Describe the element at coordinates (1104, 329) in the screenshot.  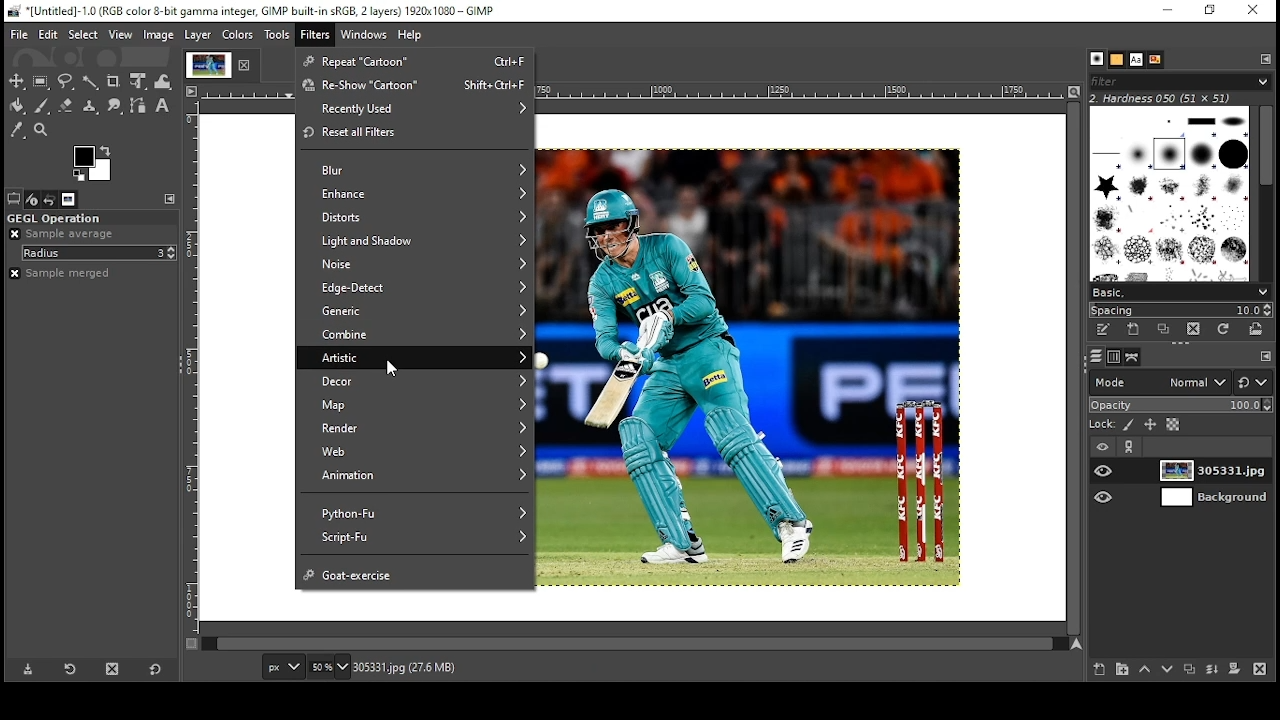
I see `edit this brush` at that location.